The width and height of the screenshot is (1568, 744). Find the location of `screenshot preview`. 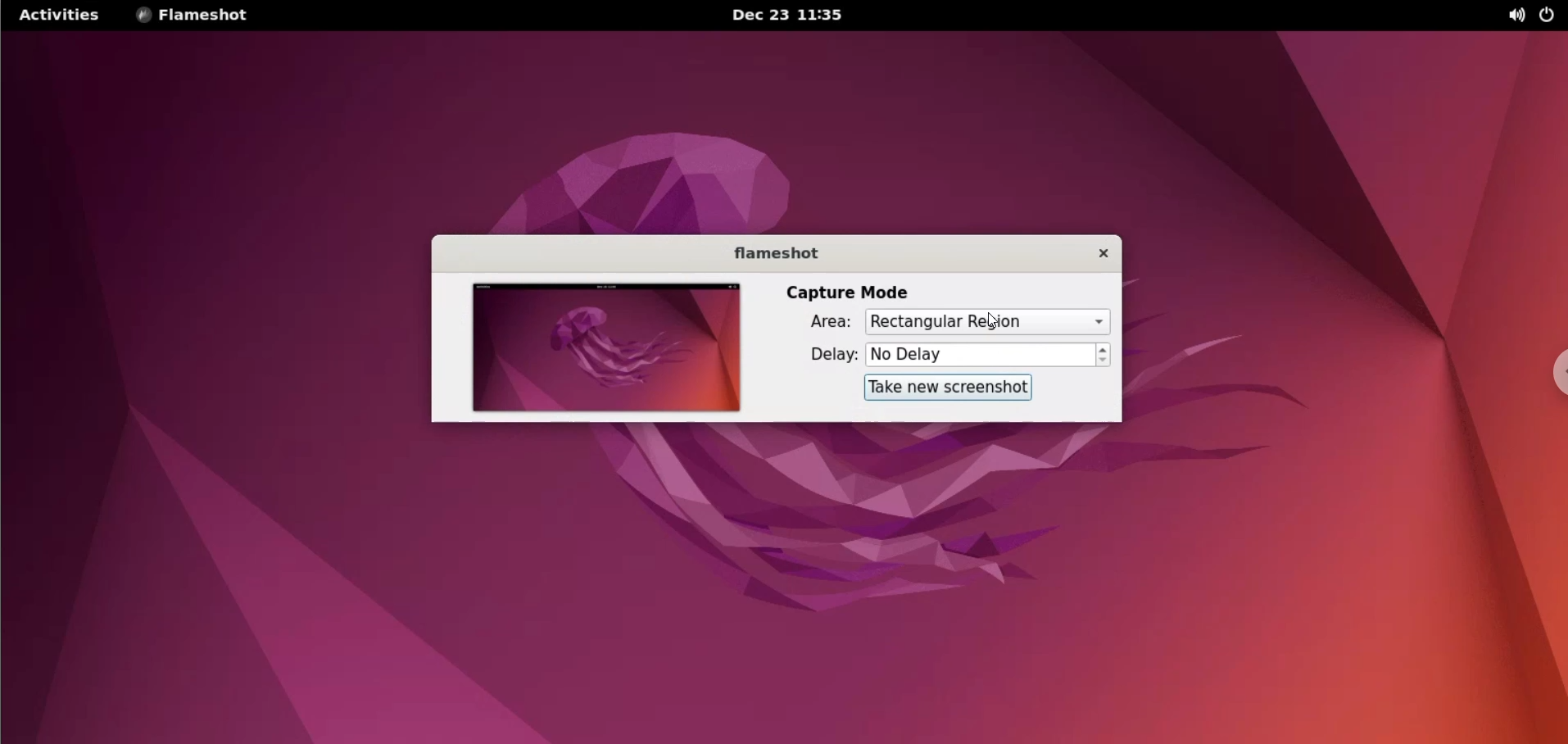

screenshot preview is located at coordinates (603, 350).